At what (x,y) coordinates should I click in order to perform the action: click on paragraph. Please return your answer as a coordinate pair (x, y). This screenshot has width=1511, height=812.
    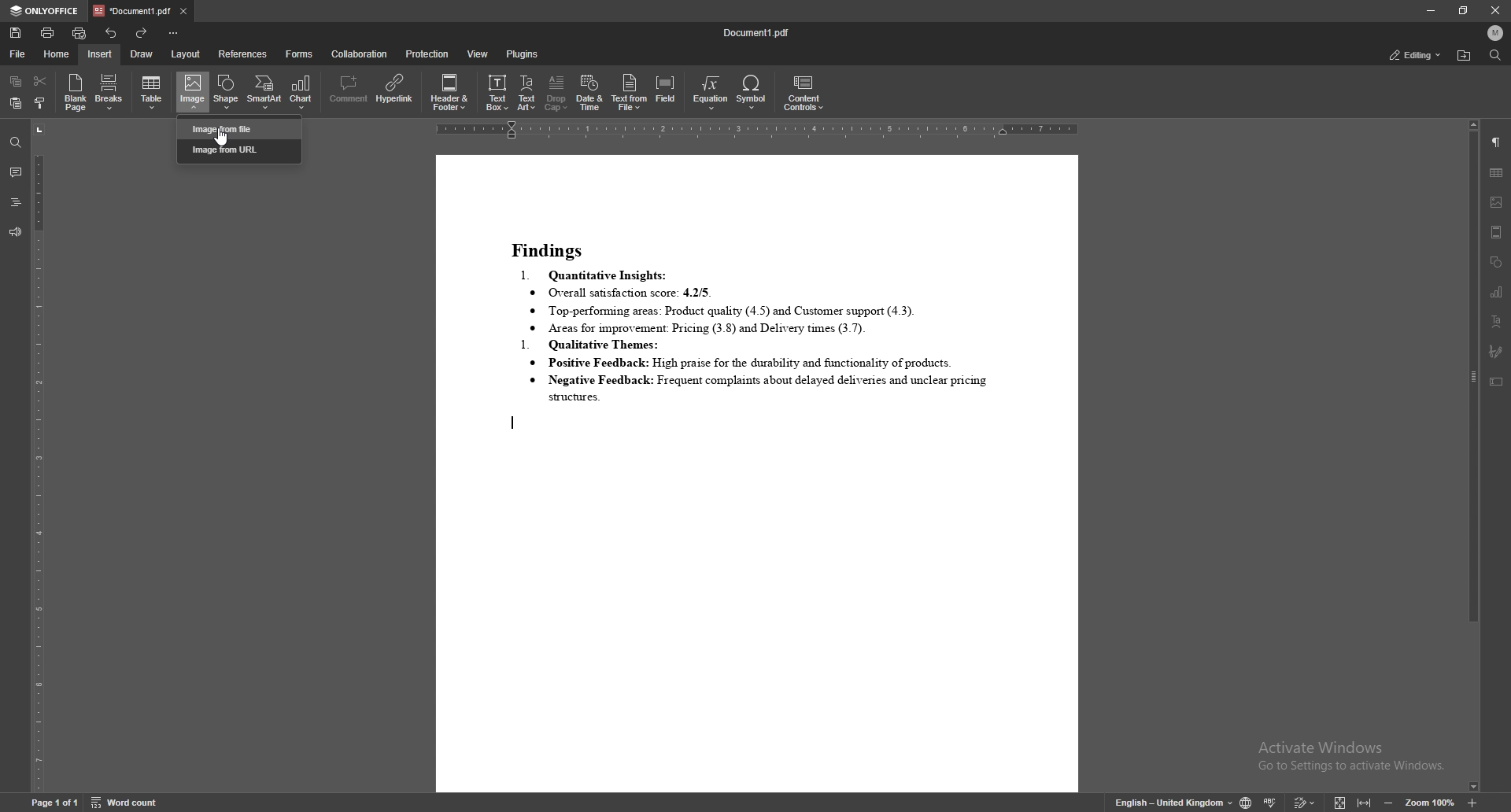
    Looking at the image, I should click on (1497, 142).